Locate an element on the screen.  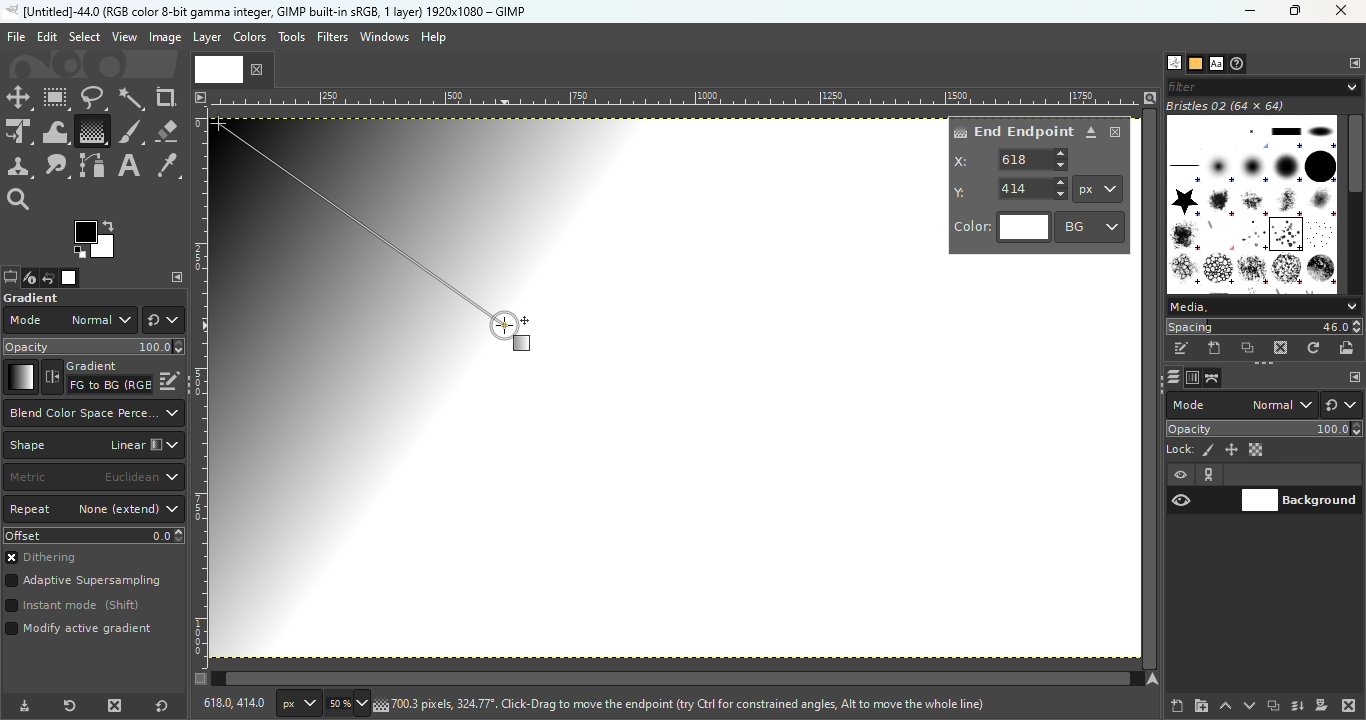
Clone tool is located at coordinates (19, 167).